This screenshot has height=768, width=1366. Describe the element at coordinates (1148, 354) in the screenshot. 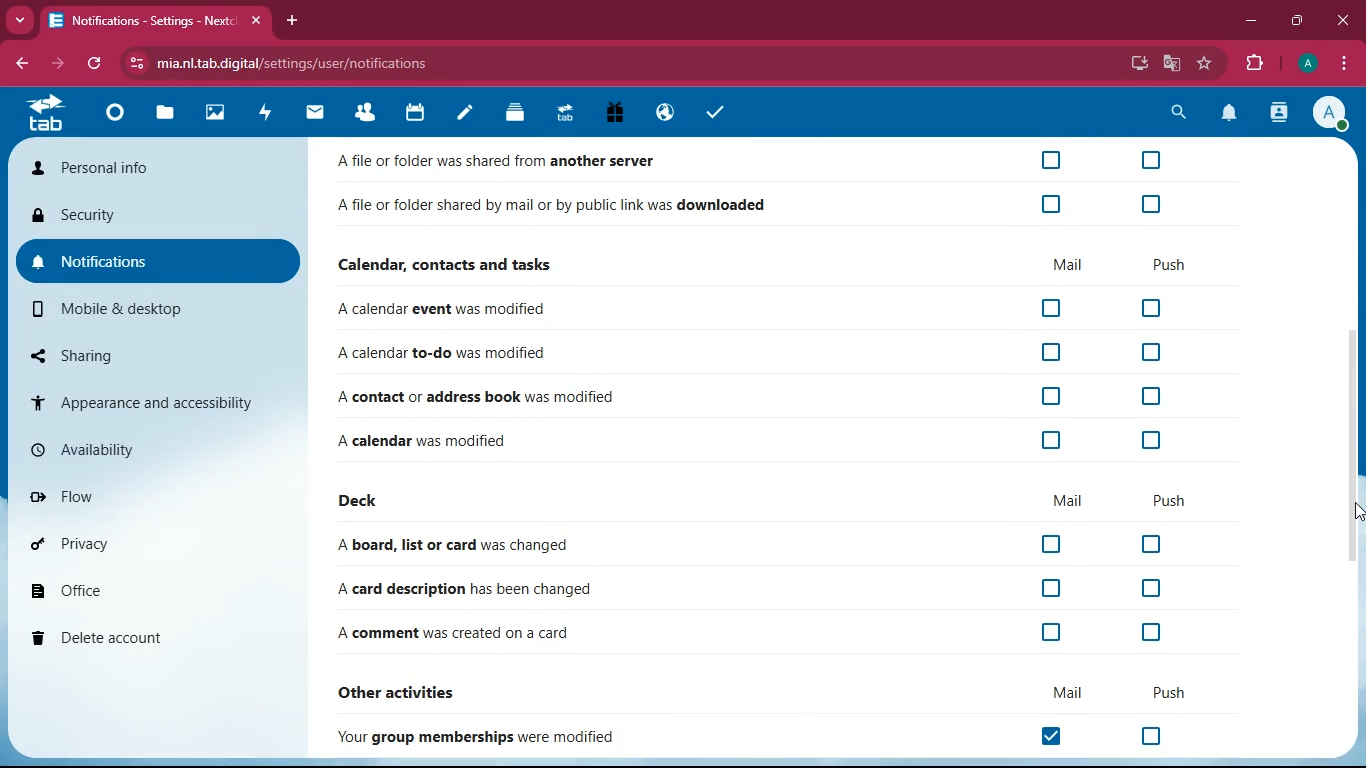

I see `off` at that location.